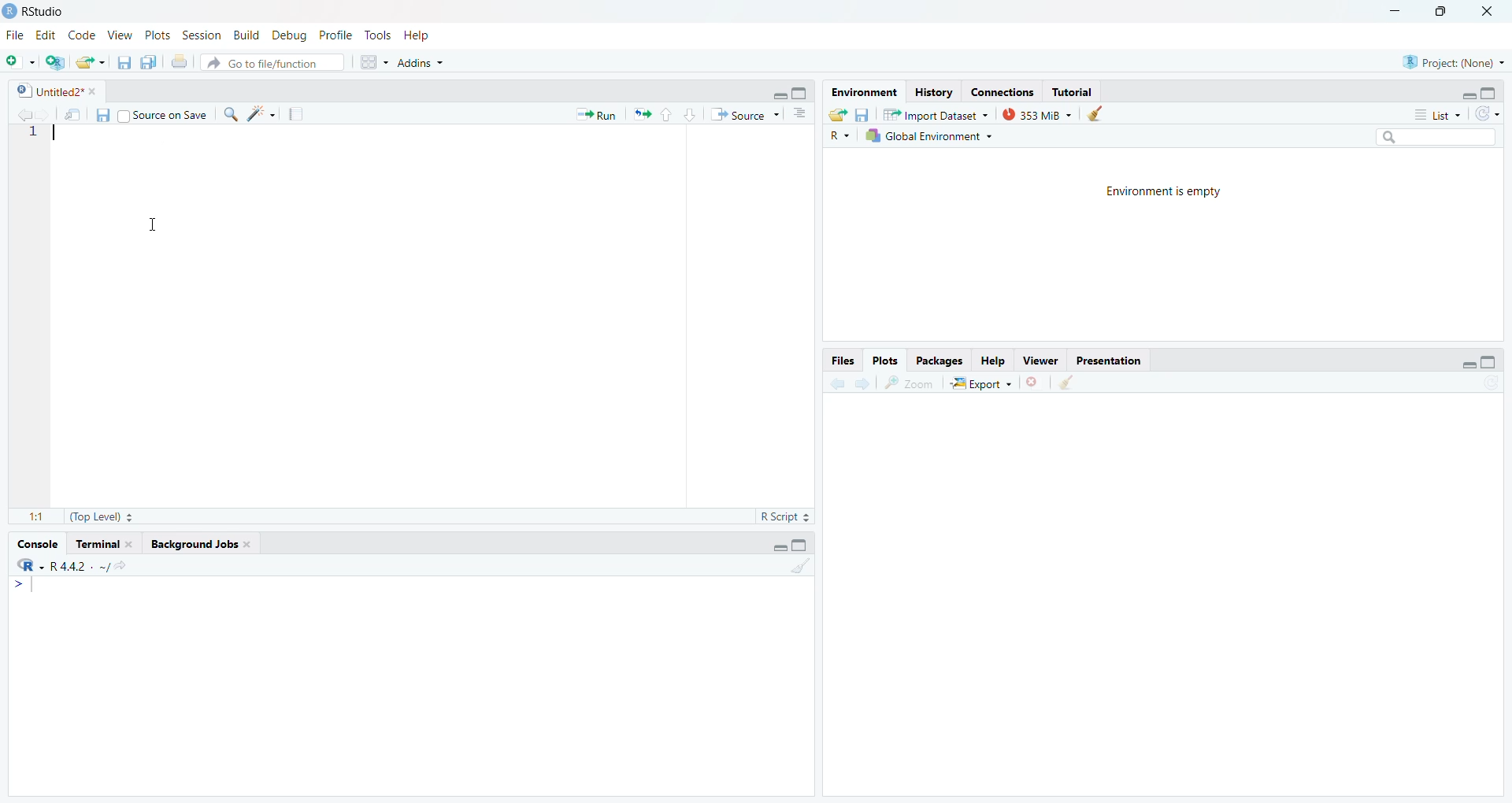 This screenshot has height=803, width=1512. Describe the element at coordinates (119, 36) in the screenshot. I see `View` at that location.